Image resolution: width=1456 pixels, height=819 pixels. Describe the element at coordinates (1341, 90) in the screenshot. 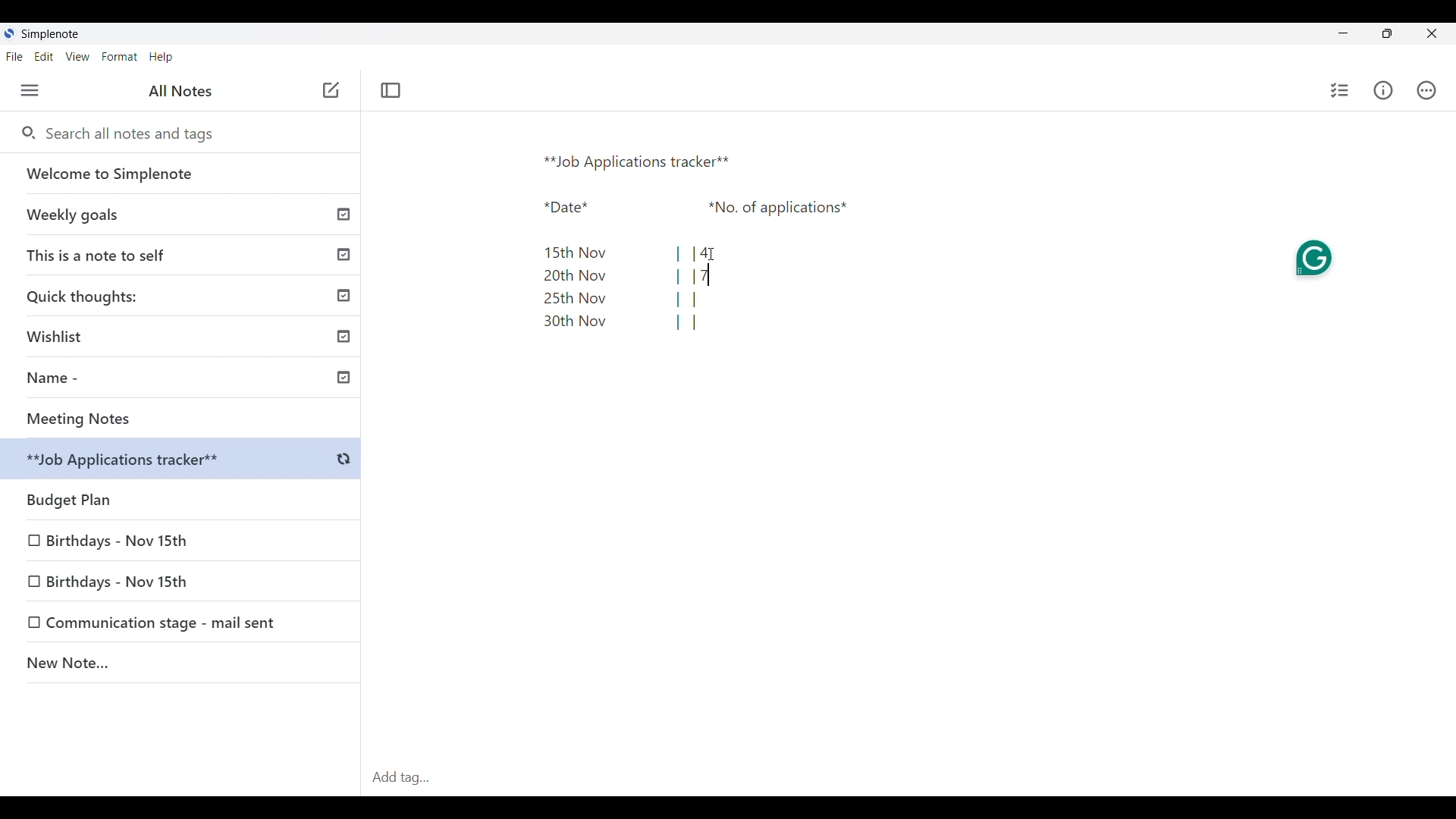

I see `Click to insert checklist` at that location.